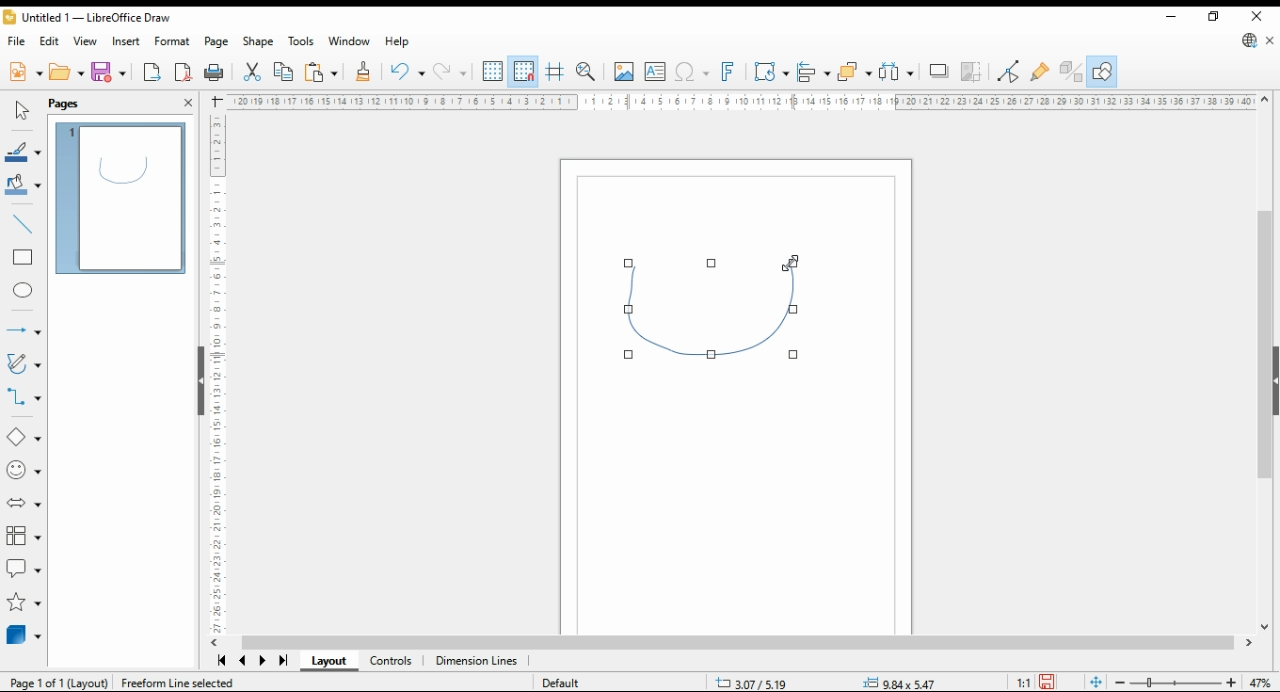  I want to click on block arrows, so click(23, 501).